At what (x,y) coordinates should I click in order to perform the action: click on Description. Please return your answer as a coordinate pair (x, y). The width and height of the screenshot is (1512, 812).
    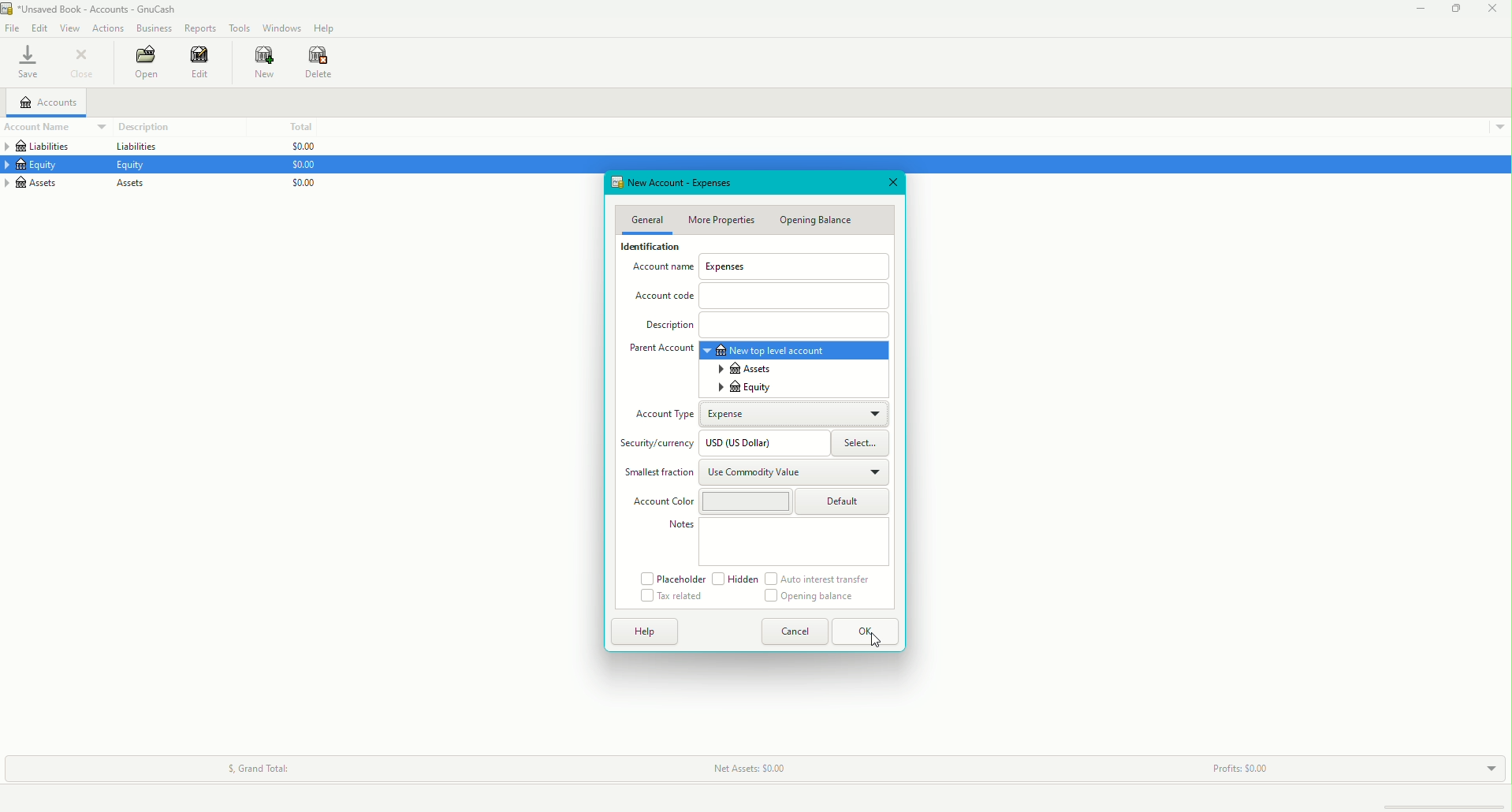
    Looking at the image, I should click on (142, 126).